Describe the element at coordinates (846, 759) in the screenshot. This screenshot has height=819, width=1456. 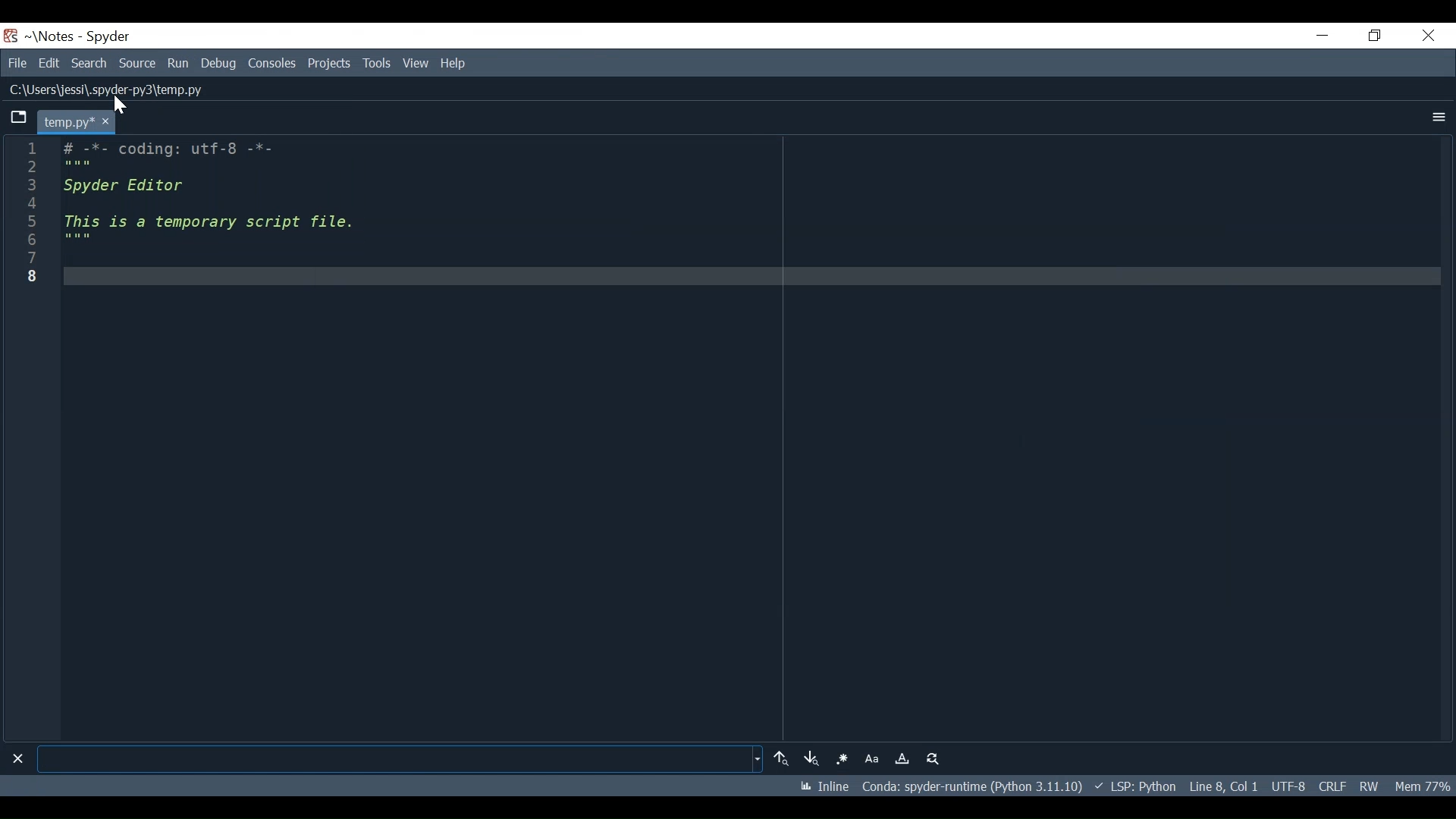
I see `Use regular Expressions` at that location.